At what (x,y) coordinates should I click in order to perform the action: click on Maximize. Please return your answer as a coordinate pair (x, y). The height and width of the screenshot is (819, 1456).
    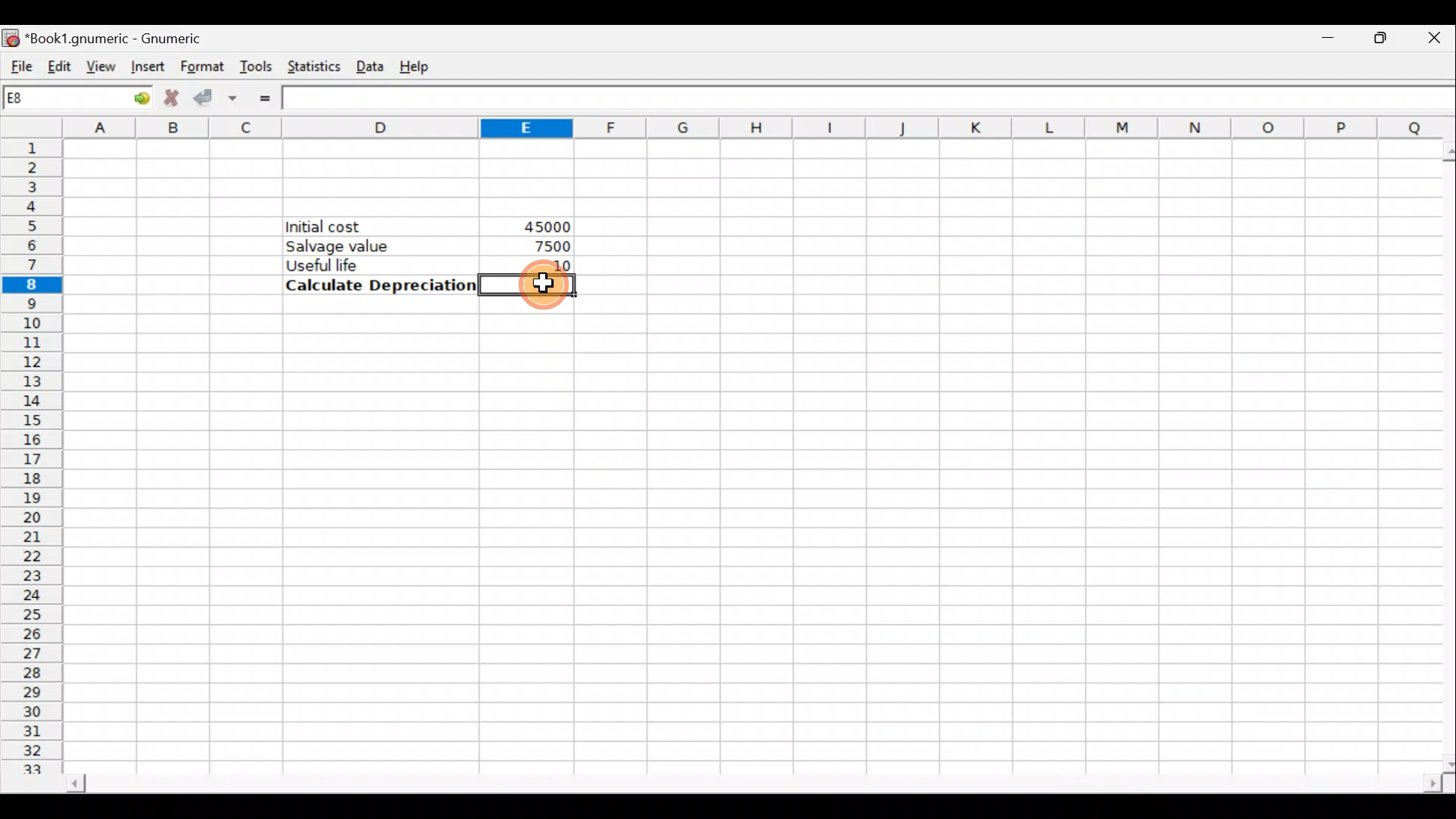
    Looking at the image, I should click on (1373, 42).